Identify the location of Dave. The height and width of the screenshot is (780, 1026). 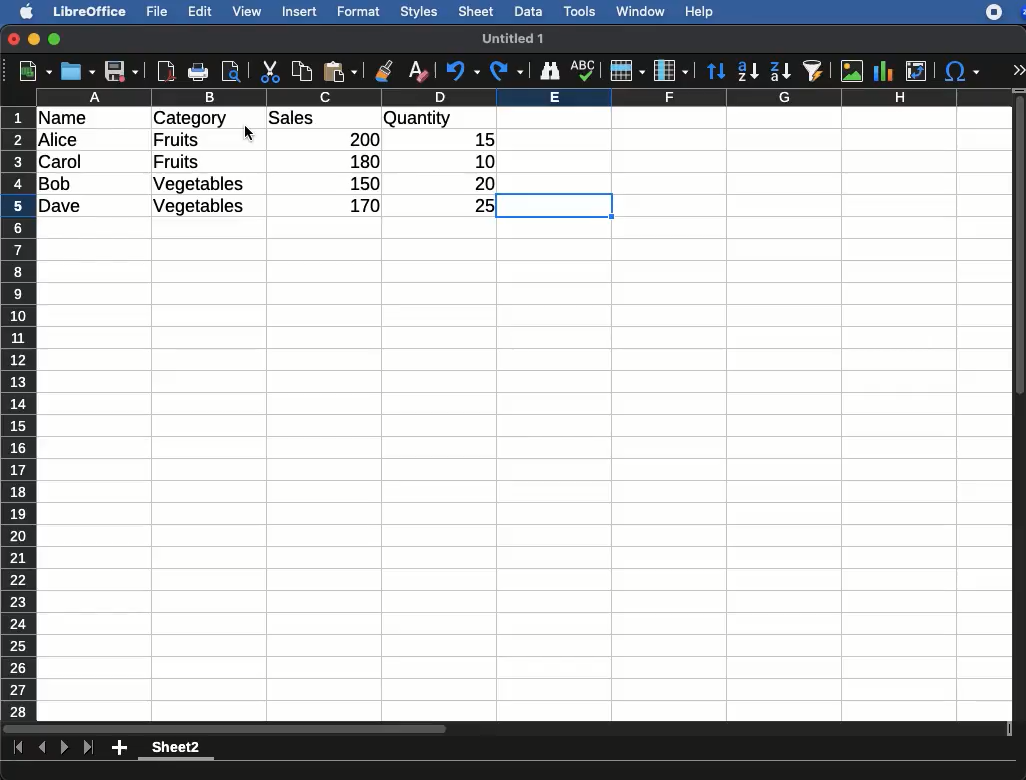
(64, 207).